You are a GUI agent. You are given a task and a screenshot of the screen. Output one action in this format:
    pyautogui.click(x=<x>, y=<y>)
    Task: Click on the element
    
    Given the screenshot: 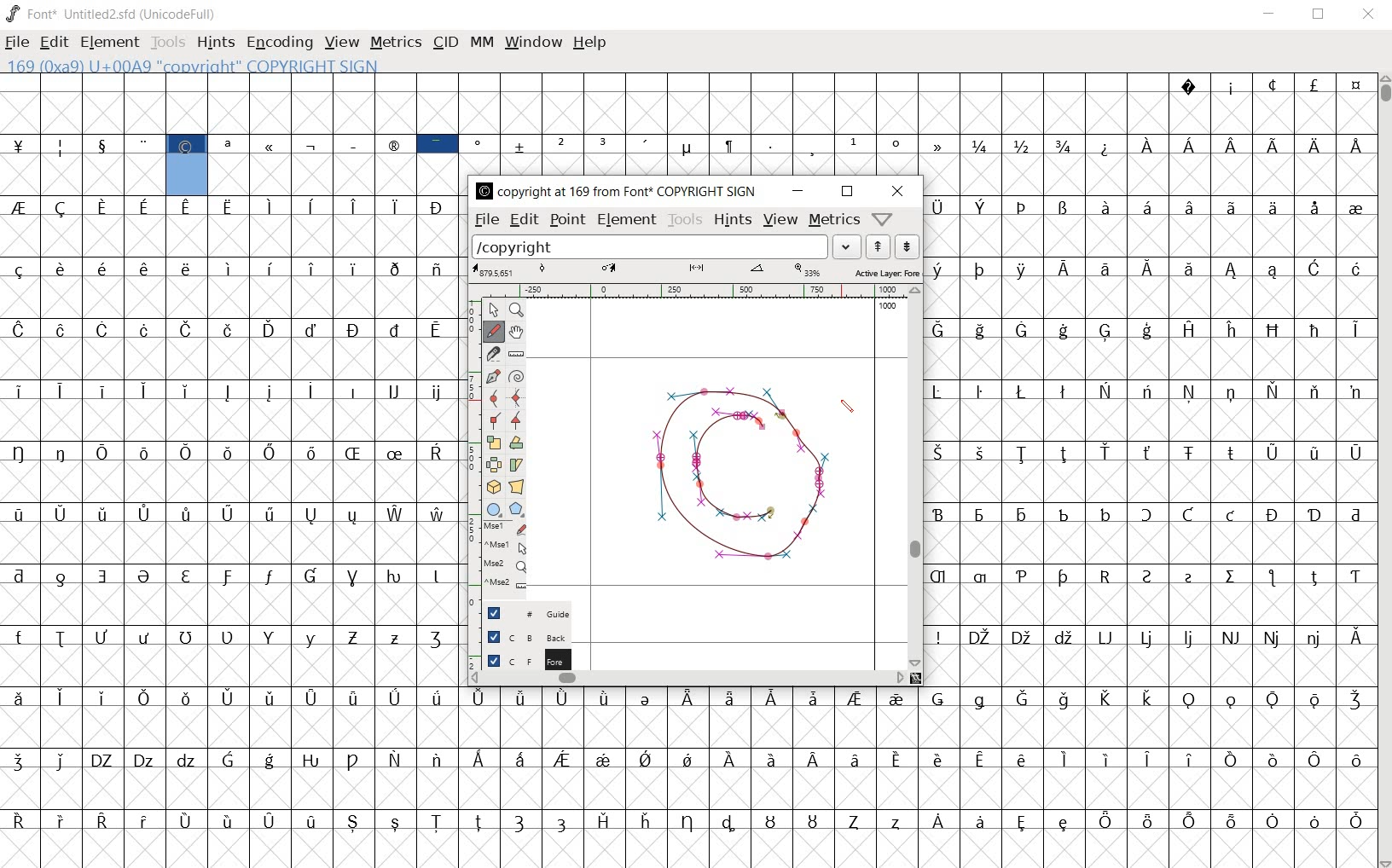 What is the action you would take?
    pyautogui.click(x=627, y=220)
    